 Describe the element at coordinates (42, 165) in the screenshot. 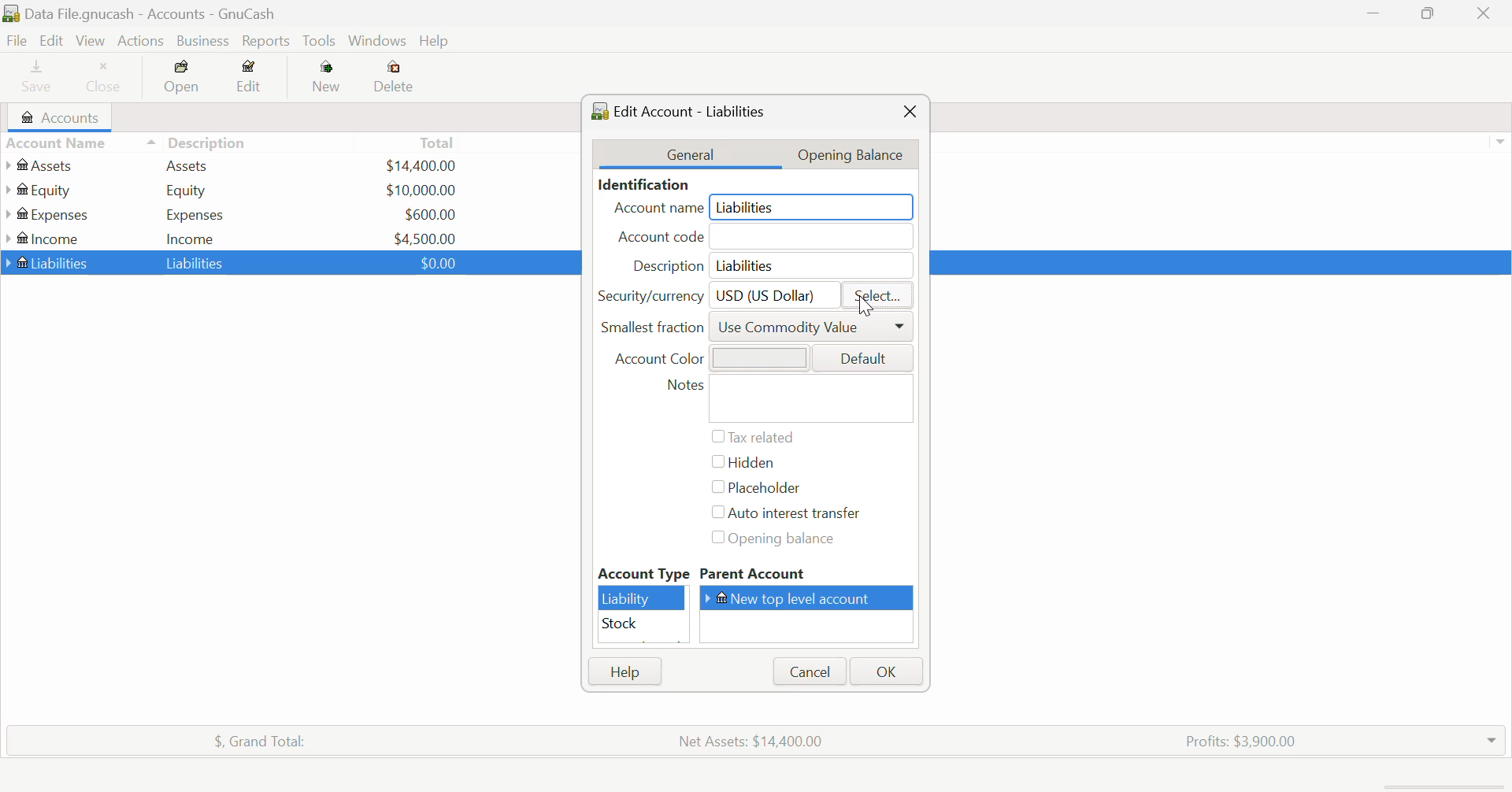

I see `Assets Account` at that location.